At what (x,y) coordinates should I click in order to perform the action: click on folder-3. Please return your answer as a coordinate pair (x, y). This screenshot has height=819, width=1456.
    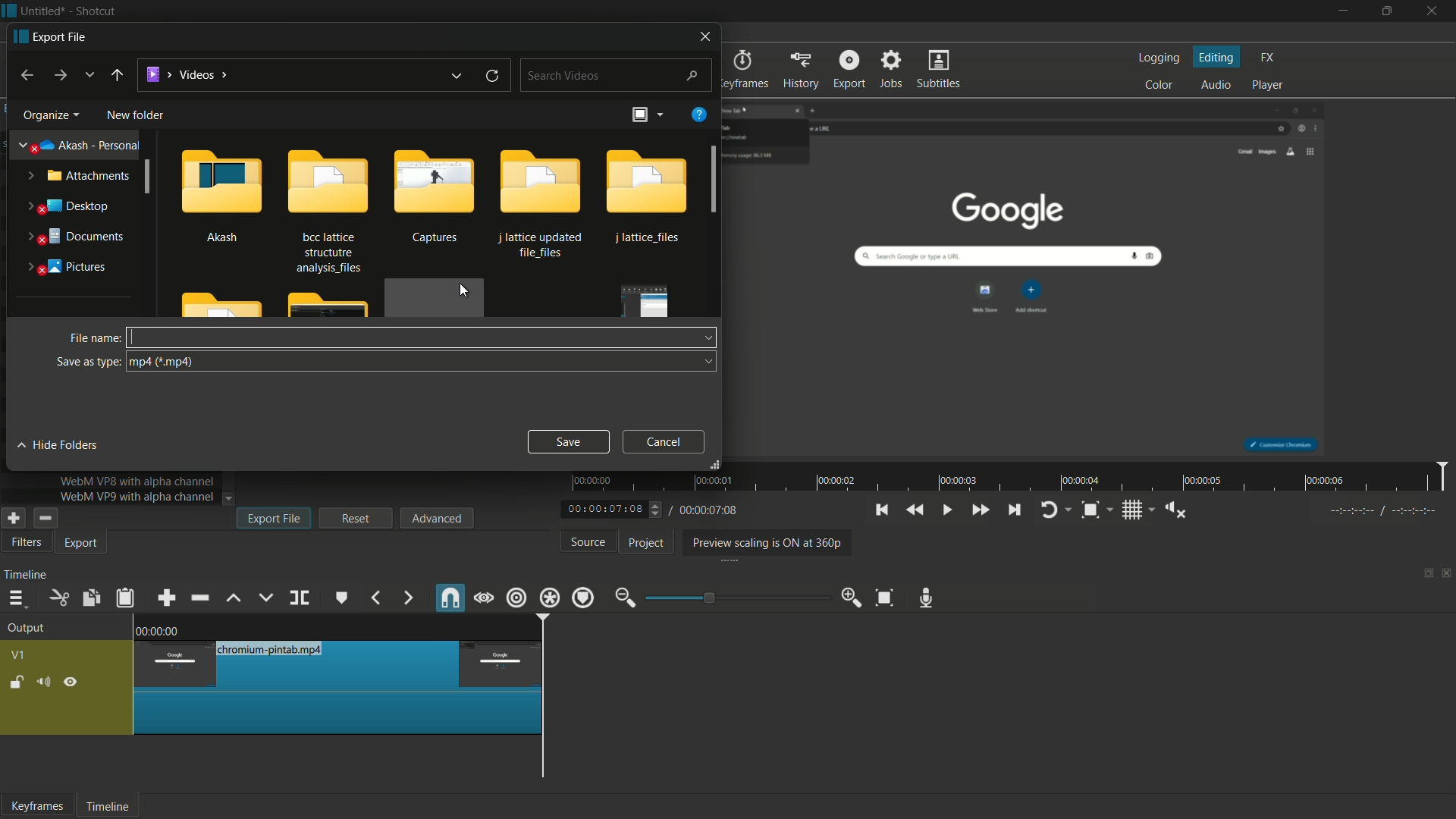
    Looking at the image, I should click on (433, 198).